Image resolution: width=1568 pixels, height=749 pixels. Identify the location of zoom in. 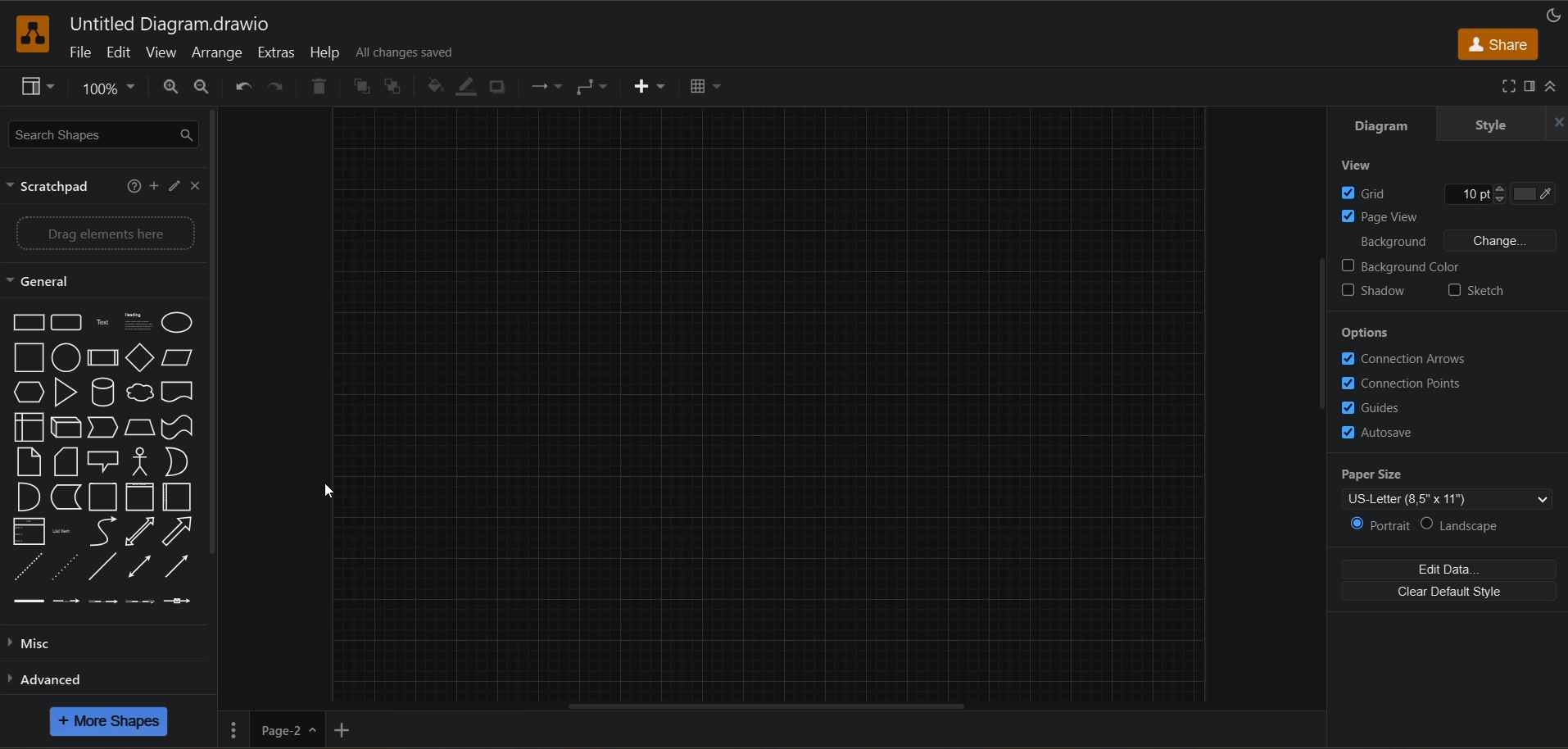
(172, 88).